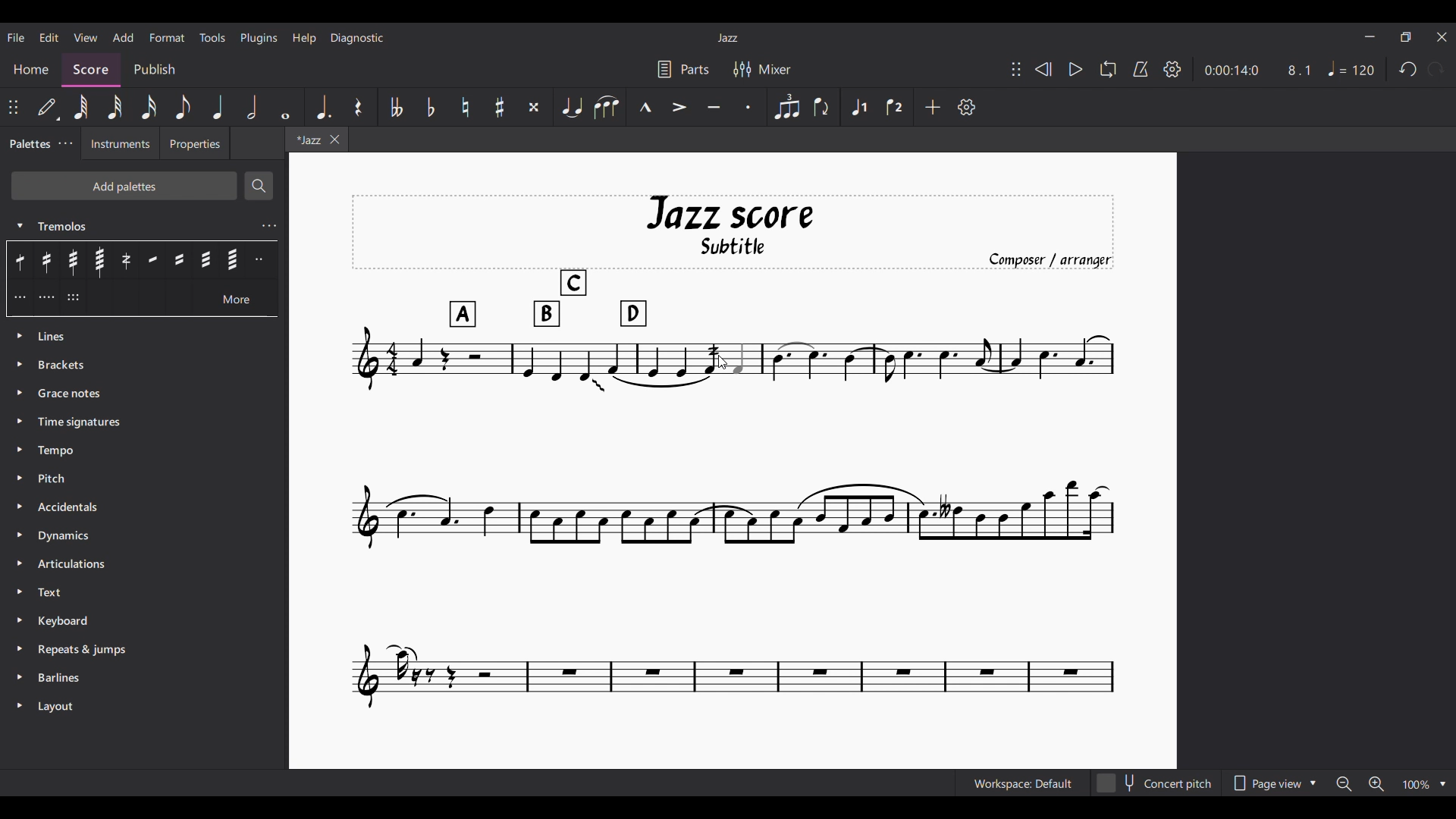 The width and height of the screenshot is (1456, 819). Describe the element at coordinates (1043, 69) in the screenshot. I see `Rewind` at that location.